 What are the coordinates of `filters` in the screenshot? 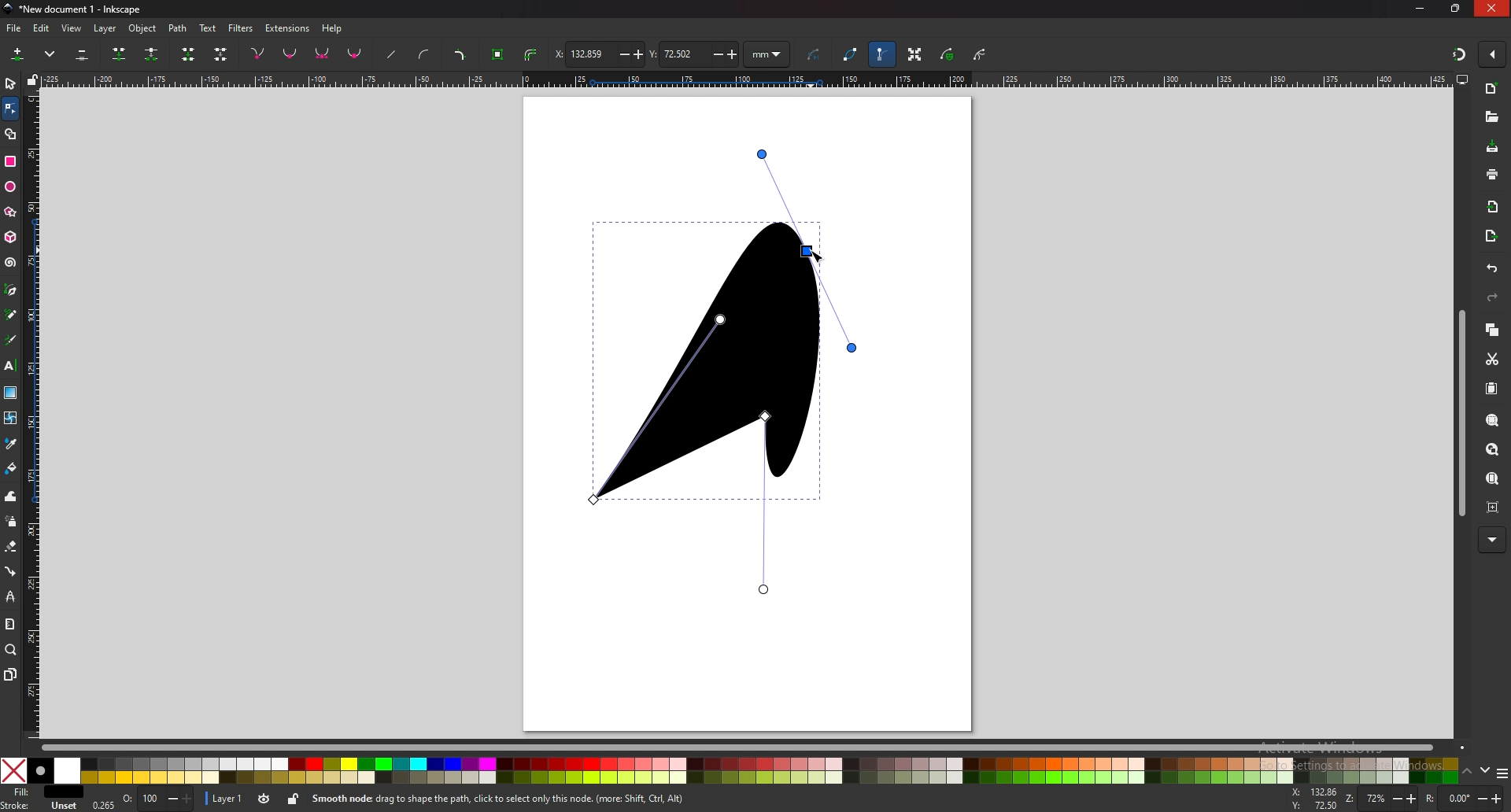 It's located at (241, 28).